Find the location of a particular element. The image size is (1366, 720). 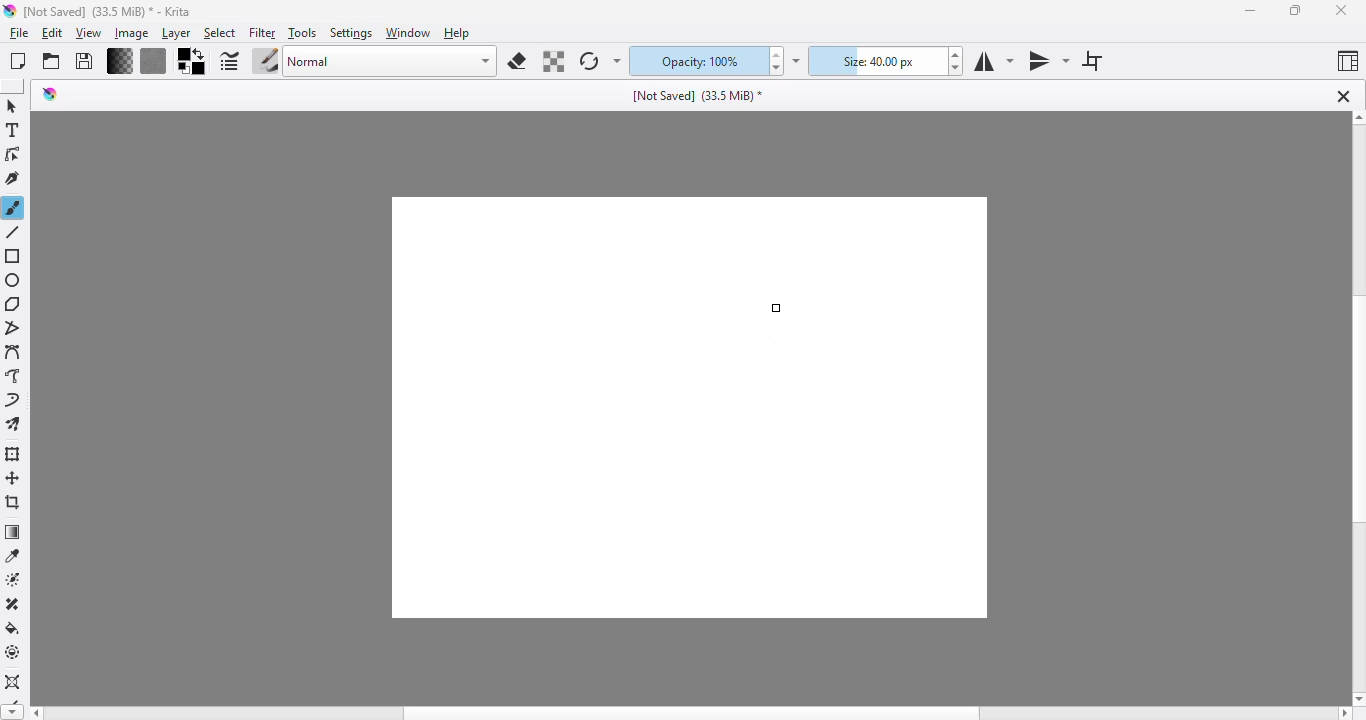

freehand path tool is located at coordinates (15, 376).